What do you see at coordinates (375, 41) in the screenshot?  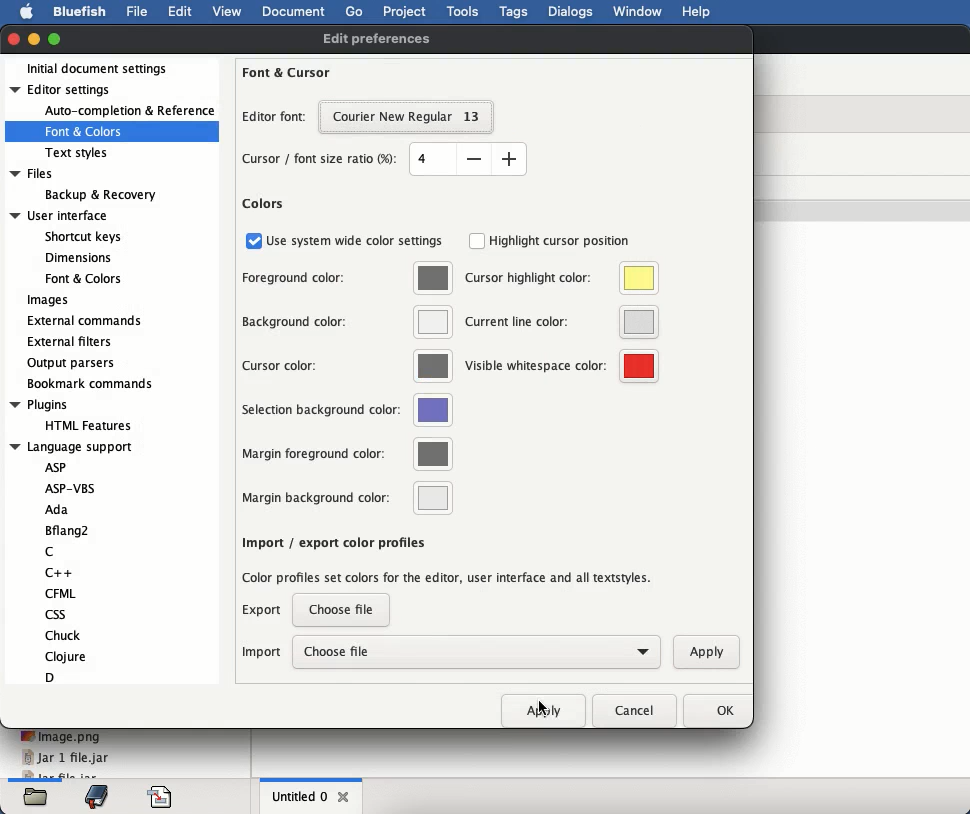 I see `edit preferences ` at bounding box center [375, 41].